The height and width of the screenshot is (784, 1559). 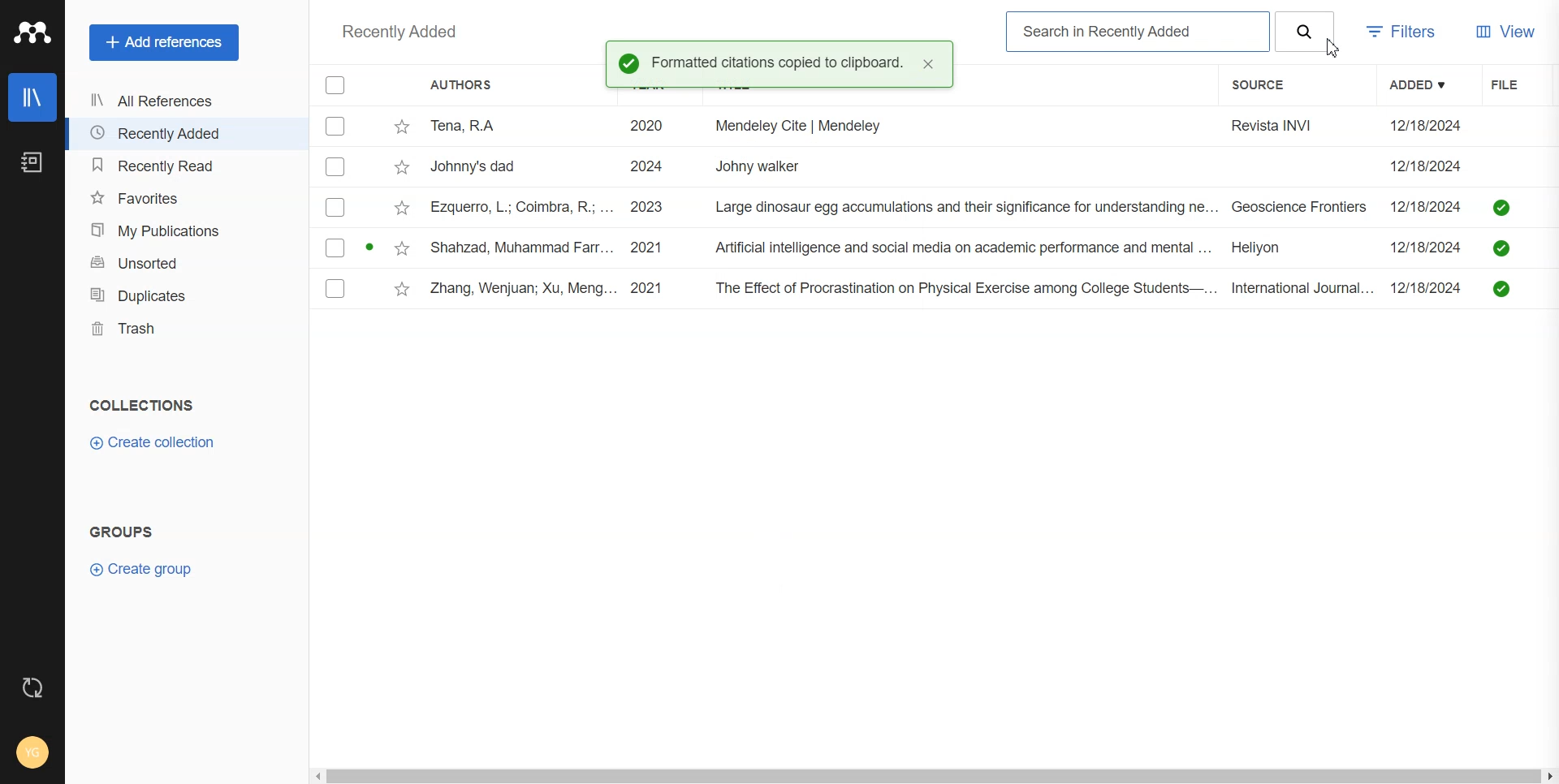 What do you see at coordinates (892, 129) in the screenshot?
I see `Tena, RA 2020 i. Mendeley Cite | Mendeley Revista INVI` at bounding box center [892, 129].